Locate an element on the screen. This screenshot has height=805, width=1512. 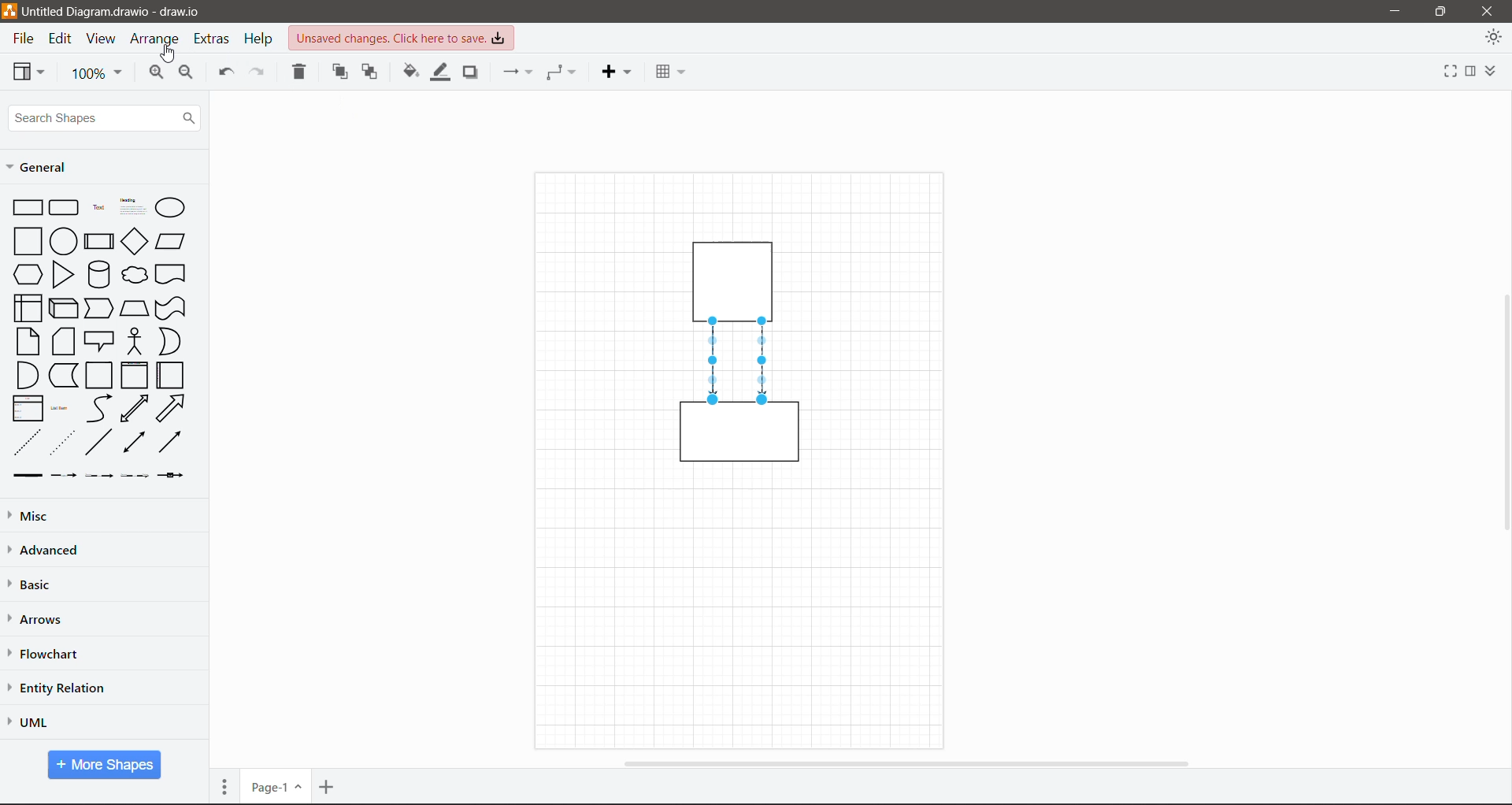
File is located at coordinates (22, 39).